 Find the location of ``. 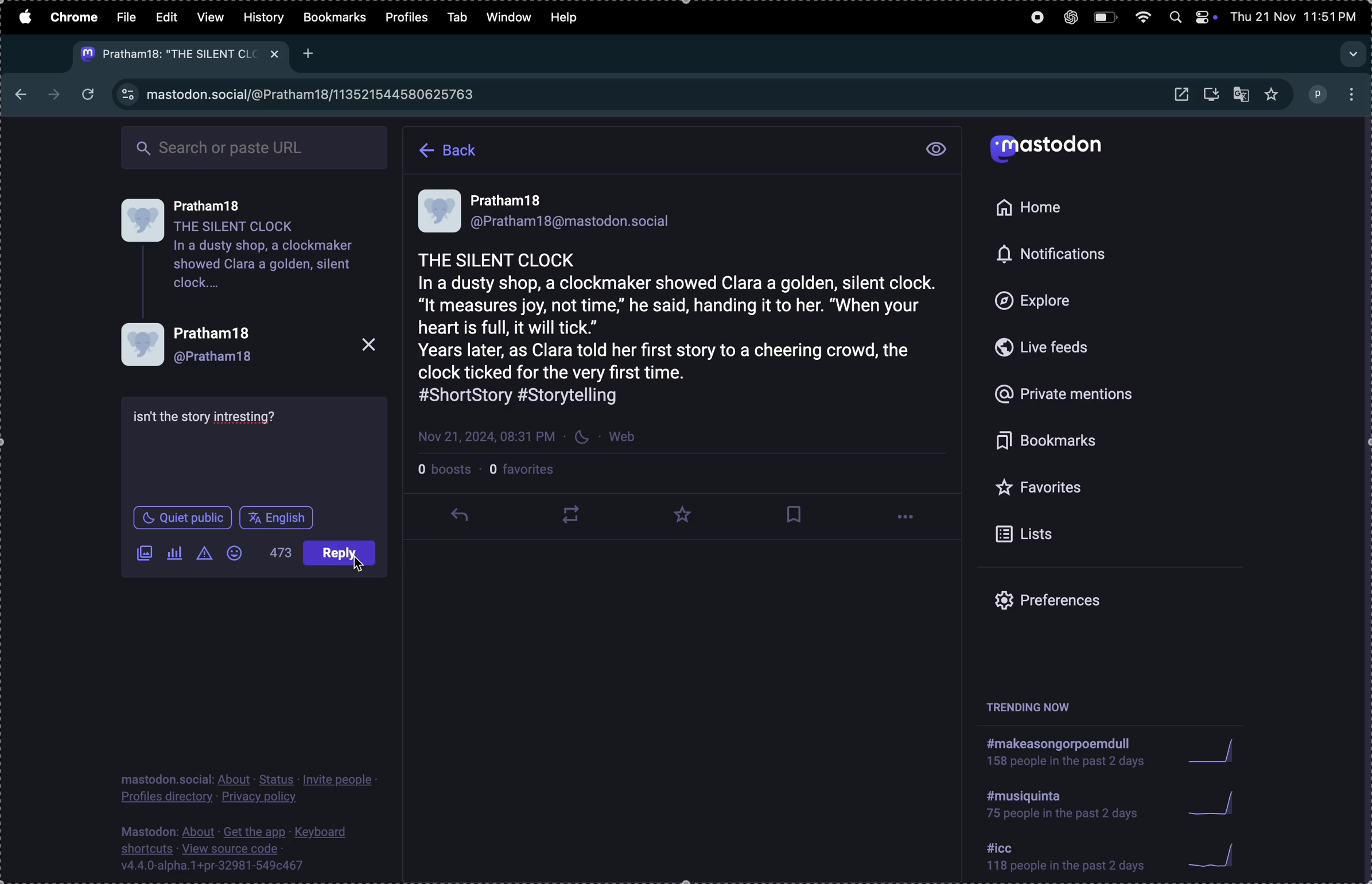

 is located at coordinates (461, 152).